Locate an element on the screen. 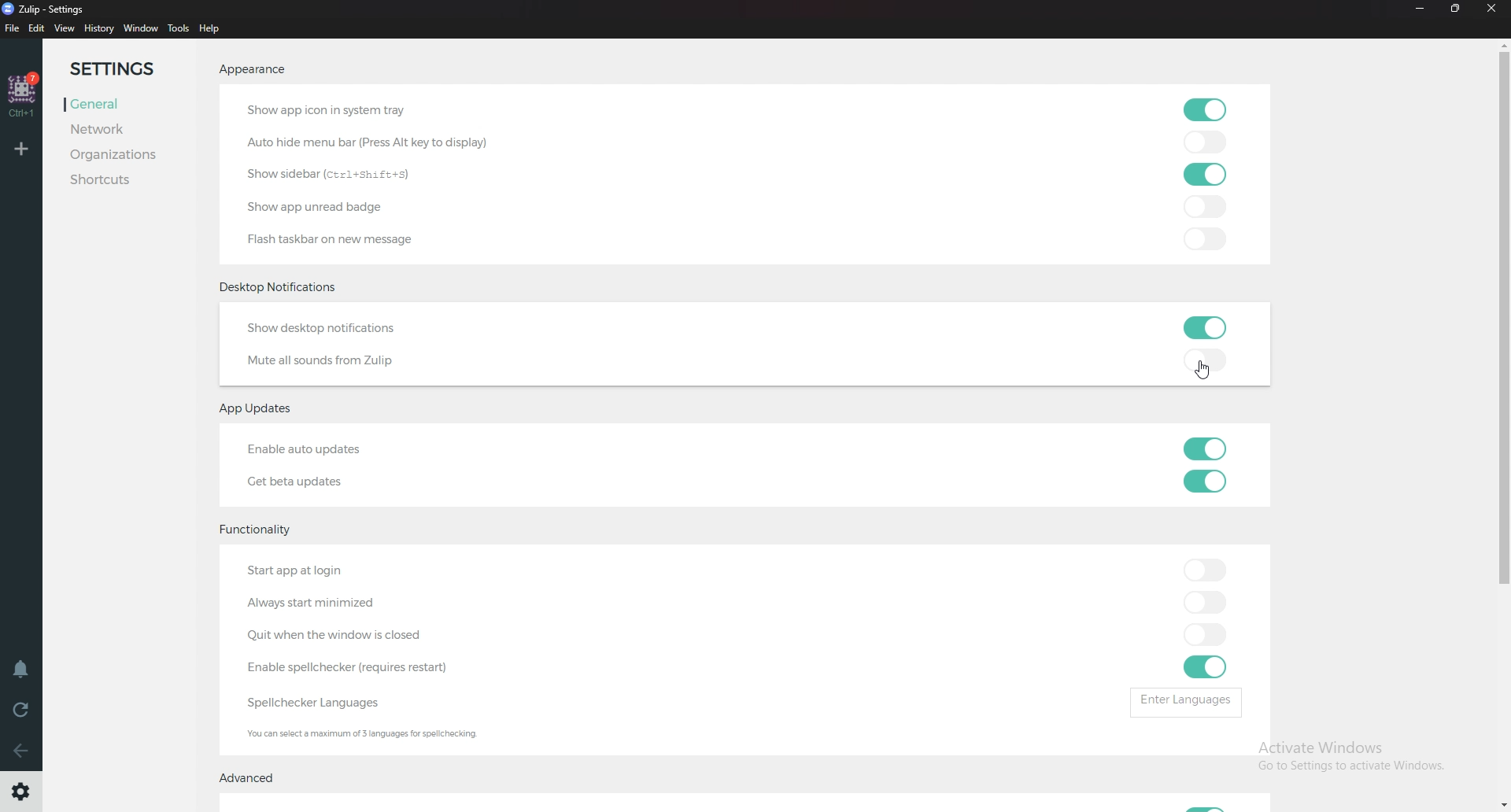  Quit when windows is closed is located at coordinates (332, 635).